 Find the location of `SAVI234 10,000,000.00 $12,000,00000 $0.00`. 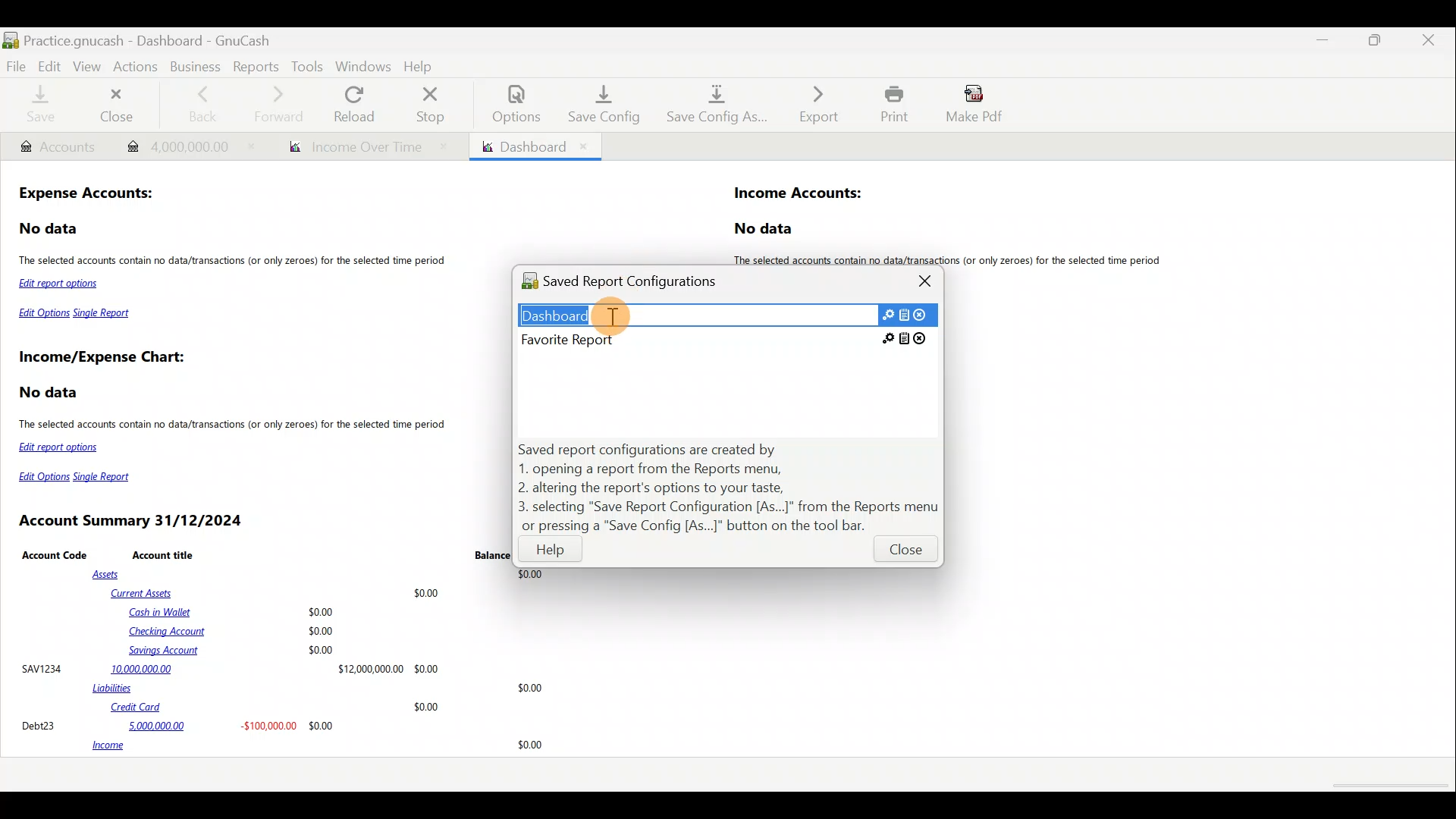

SAVI234 10,000,000.00 $12,000,00000 $0.00 is located at coordinates (230, 668).